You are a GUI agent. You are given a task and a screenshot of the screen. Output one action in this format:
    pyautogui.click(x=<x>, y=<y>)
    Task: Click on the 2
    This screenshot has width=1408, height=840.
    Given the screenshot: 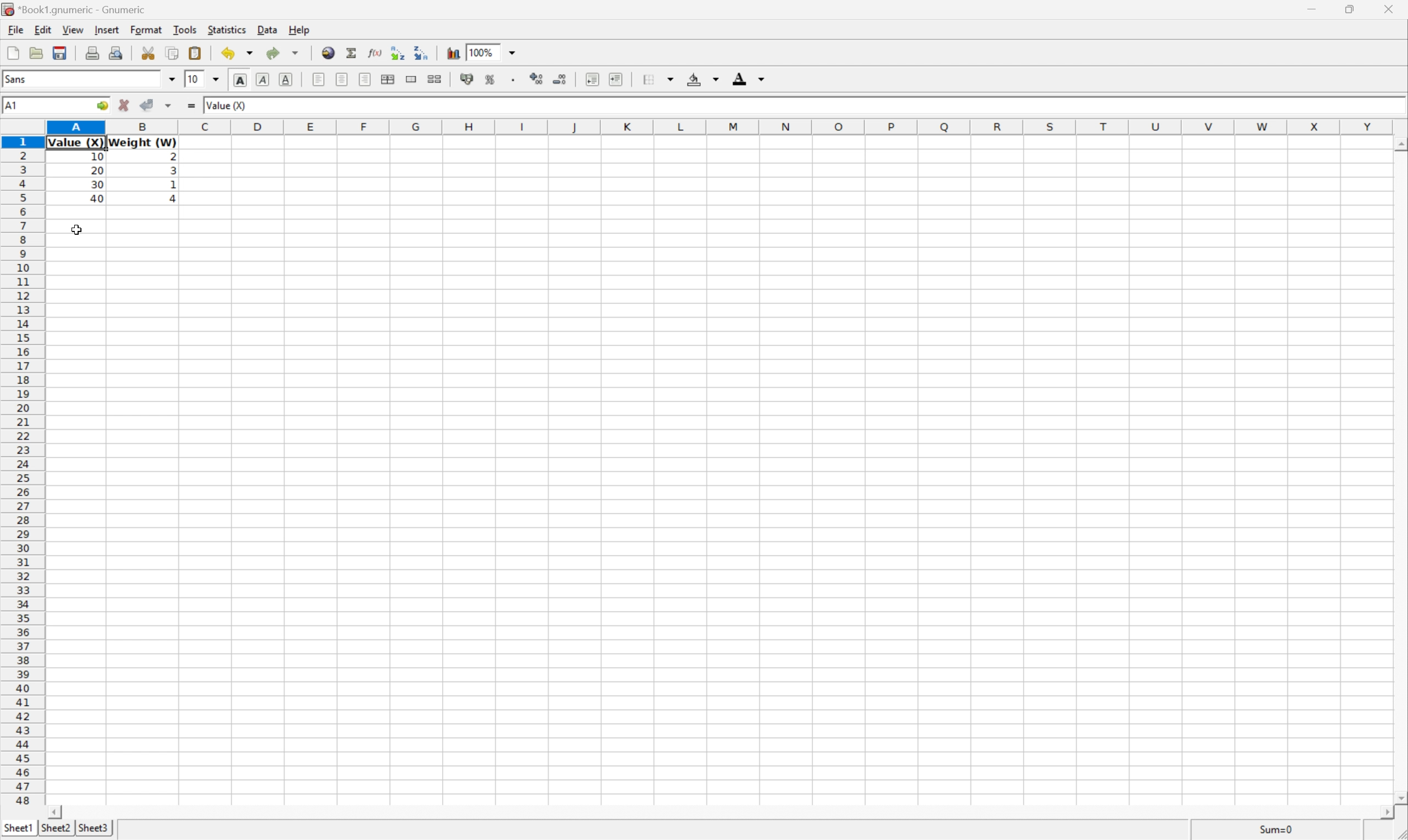 What is the action you would take?
    pyautogui.click(x=177, y=156)
    